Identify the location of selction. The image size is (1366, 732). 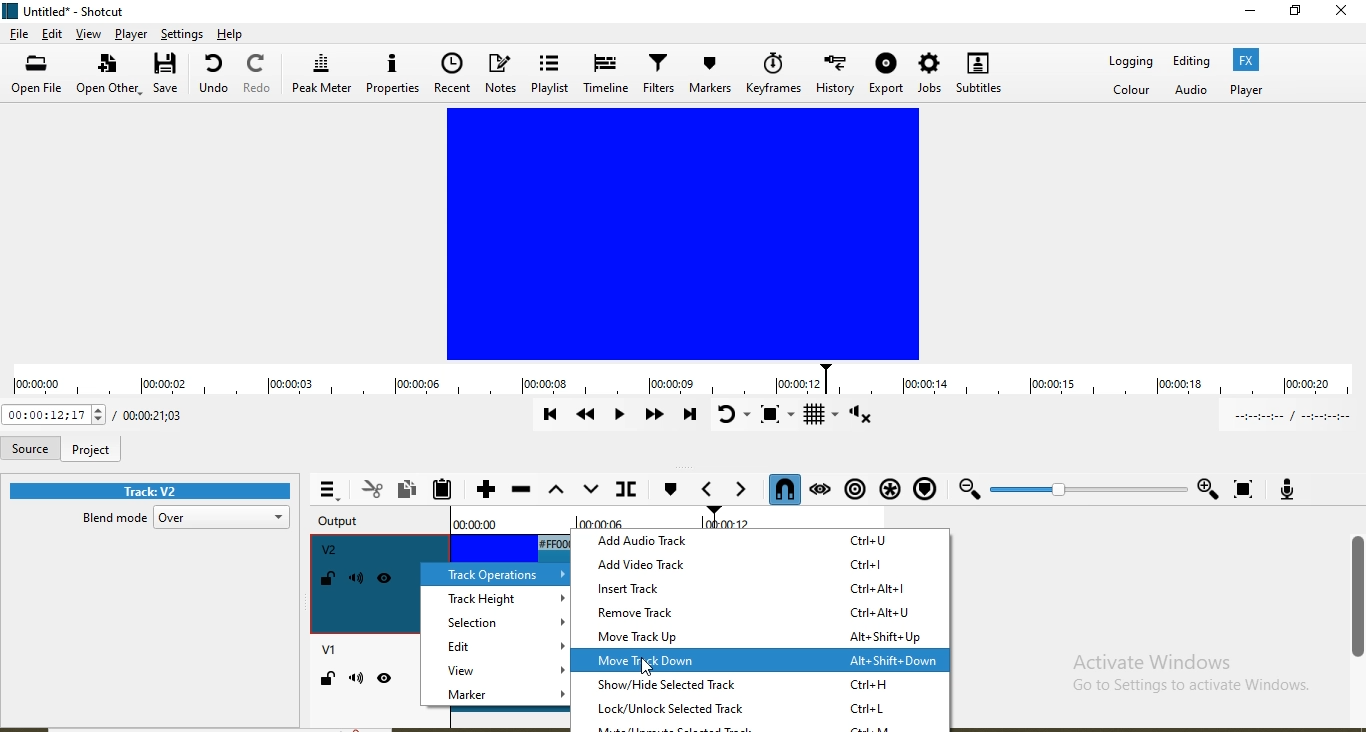
(497, 622).